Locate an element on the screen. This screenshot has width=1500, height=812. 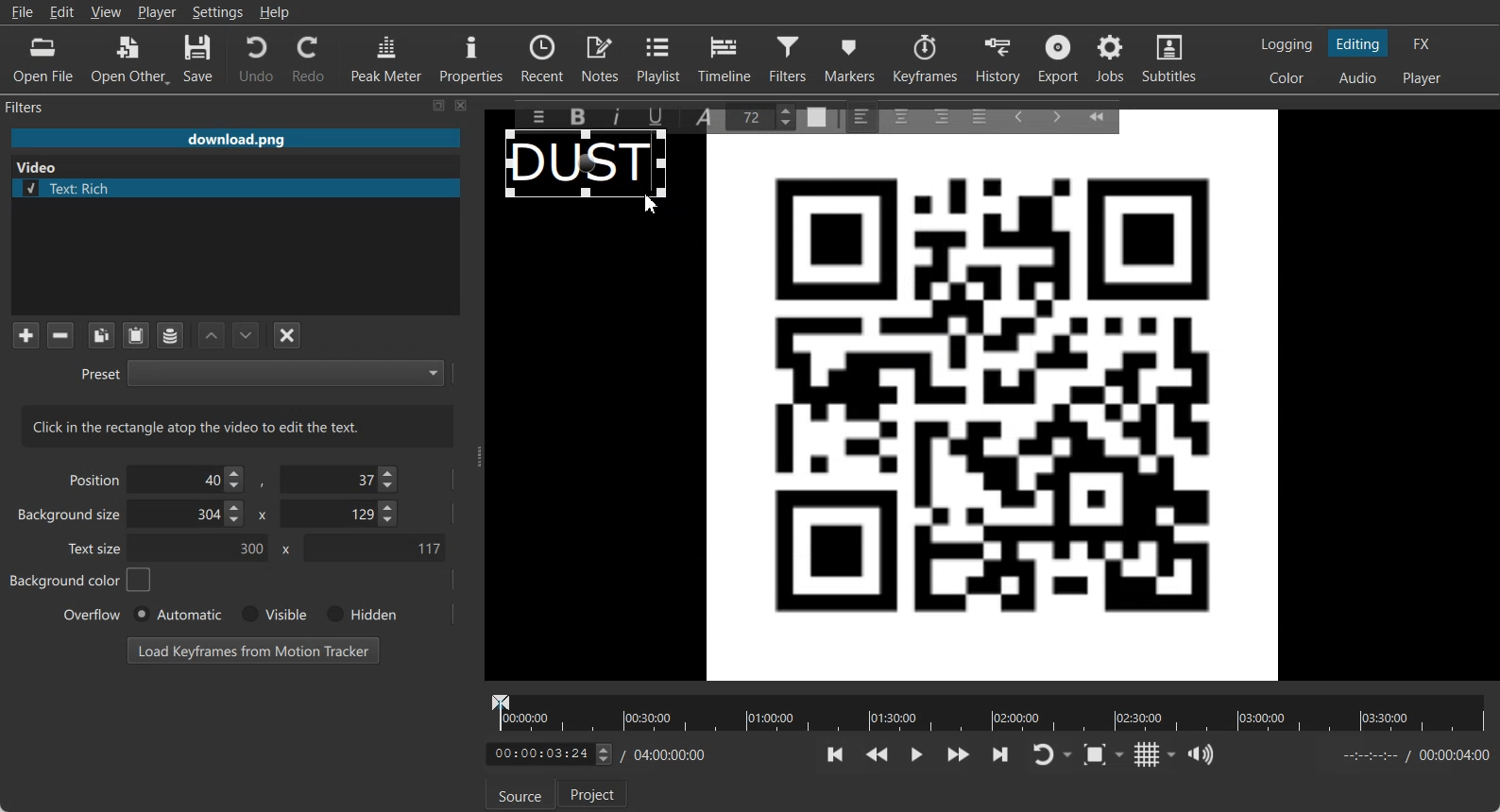
Drop down box is located at coordinates (1123, 753).